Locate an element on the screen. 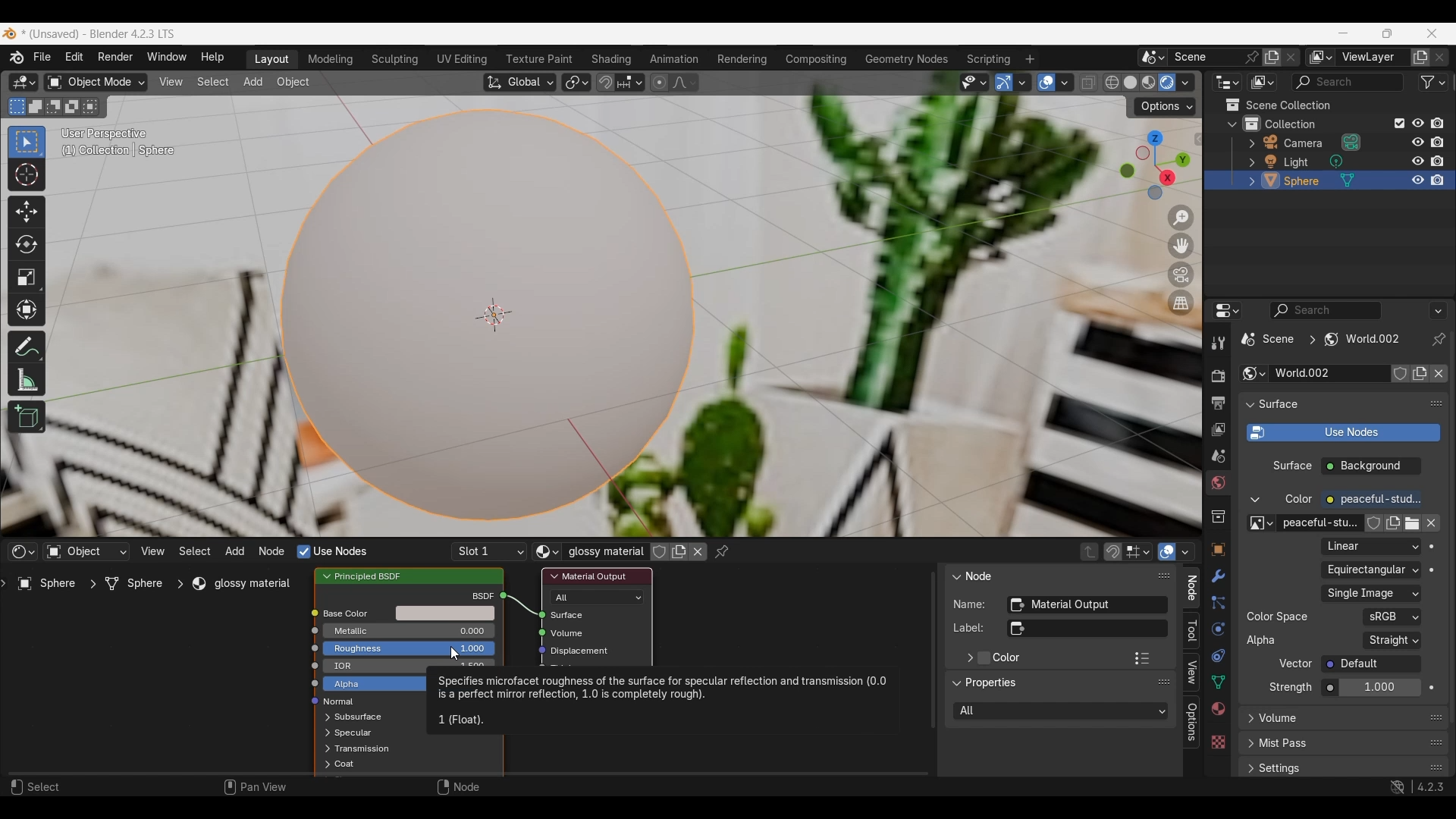 The width and height of the screenshot is (1456, 819). Set a new selection is located at coordinates (17, 107).